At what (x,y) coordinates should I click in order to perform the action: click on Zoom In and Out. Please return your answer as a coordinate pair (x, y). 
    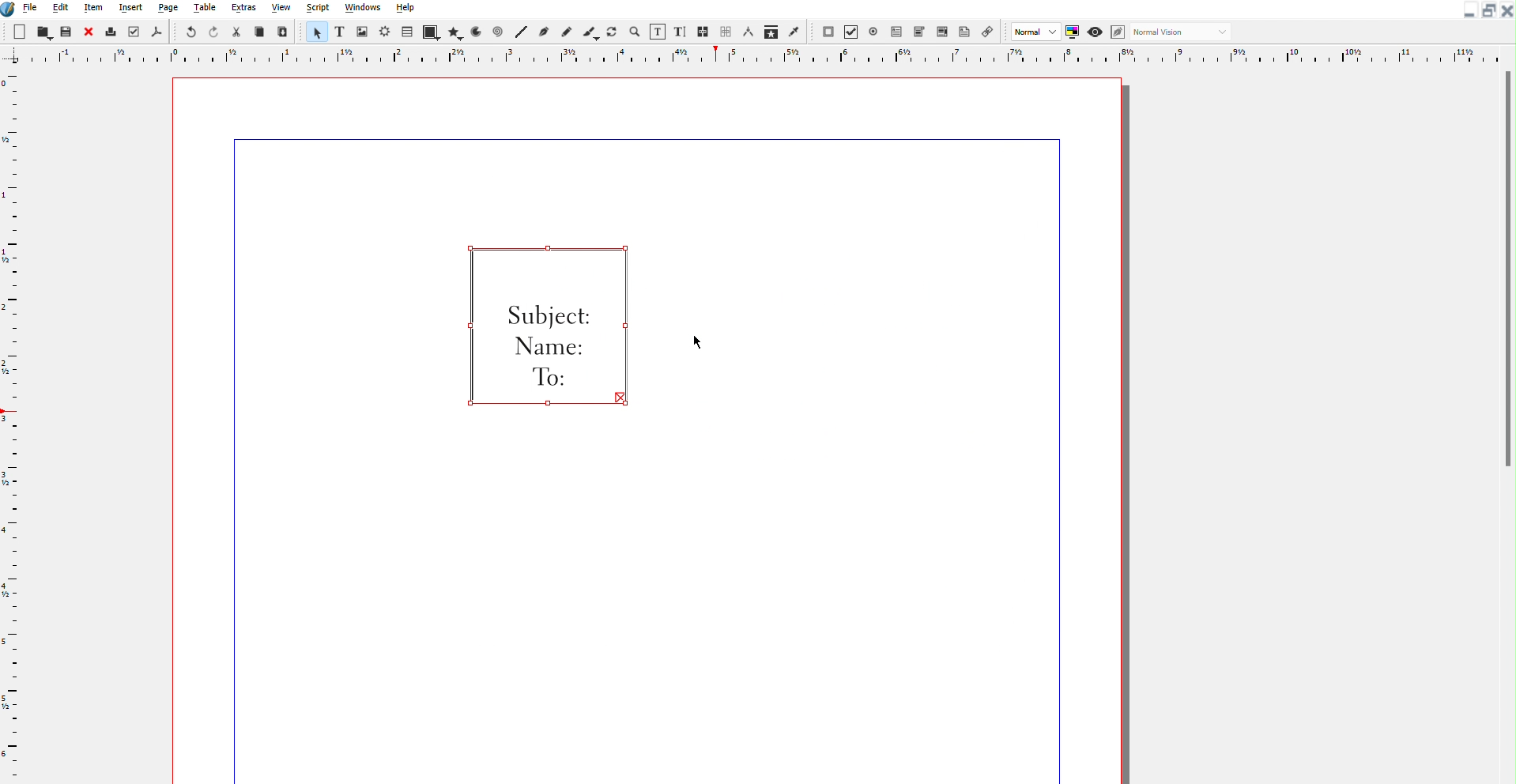
    Looking at the image, I should click on (633, 32).